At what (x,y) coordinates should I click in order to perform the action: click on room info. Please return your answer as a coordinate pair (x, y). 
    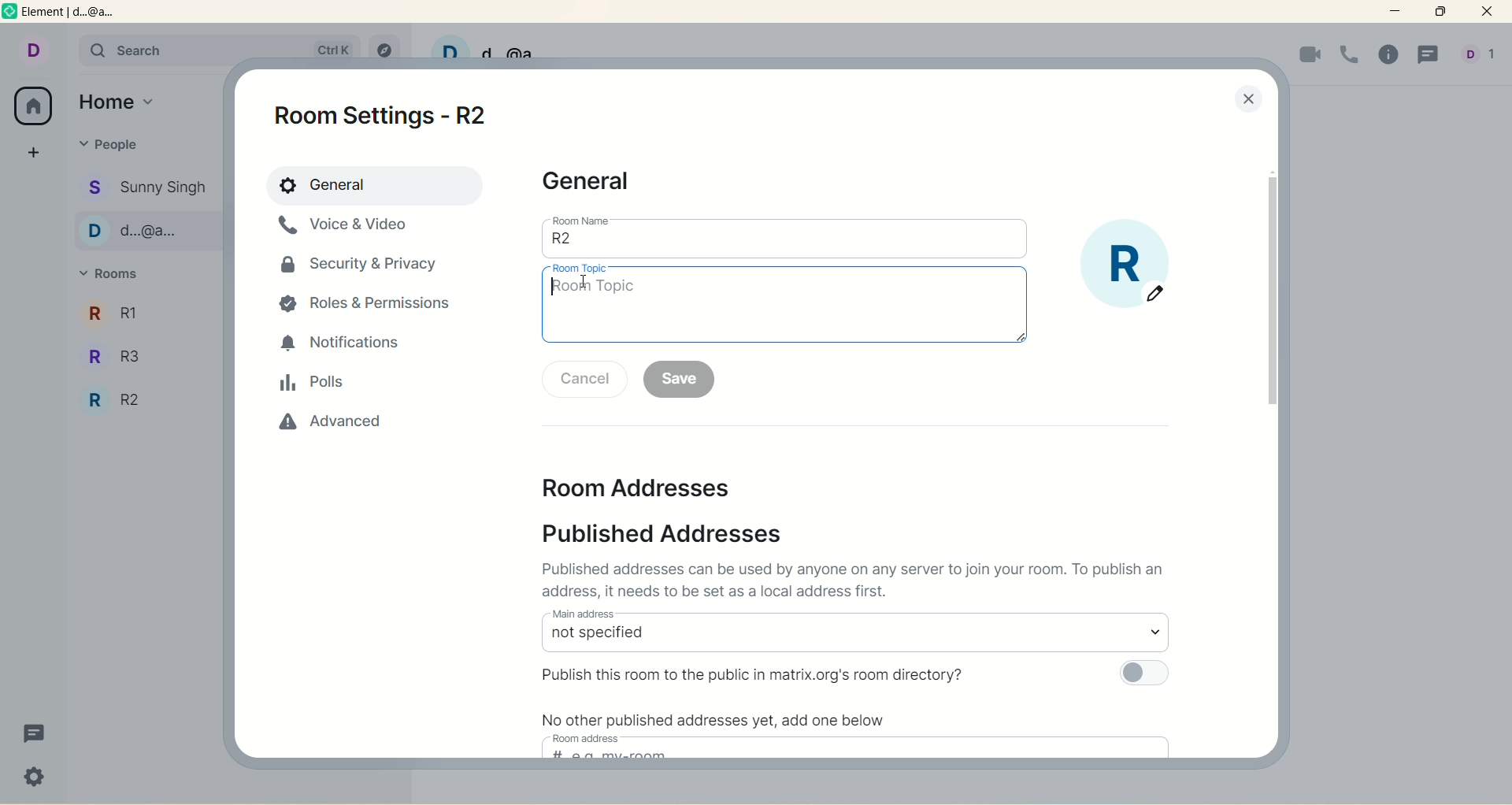
    Looking at the image, I should click on (1392, 56).